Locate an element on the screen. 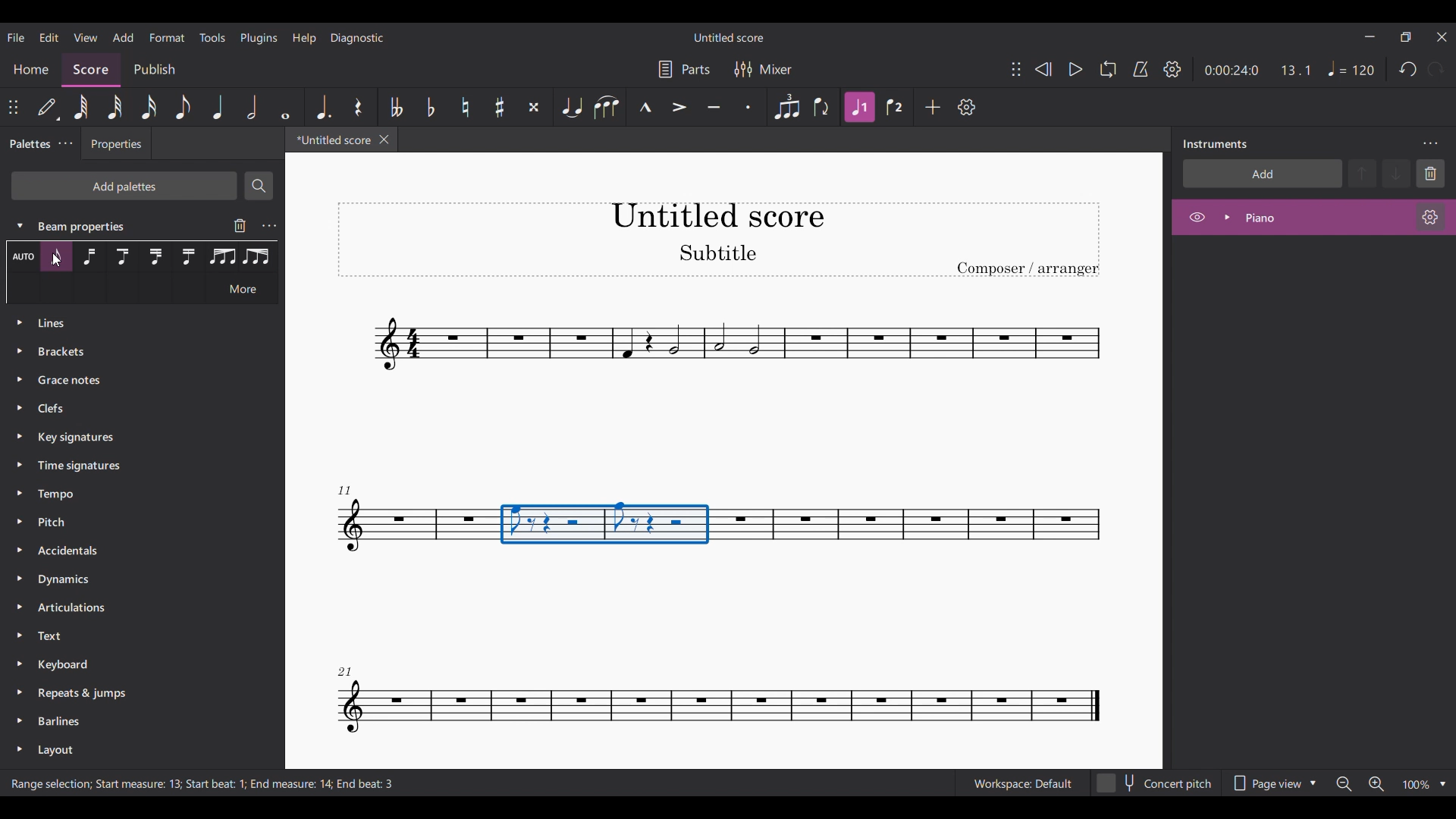 The image size is (1456, 819). Add is located at coordinates (933, 107).